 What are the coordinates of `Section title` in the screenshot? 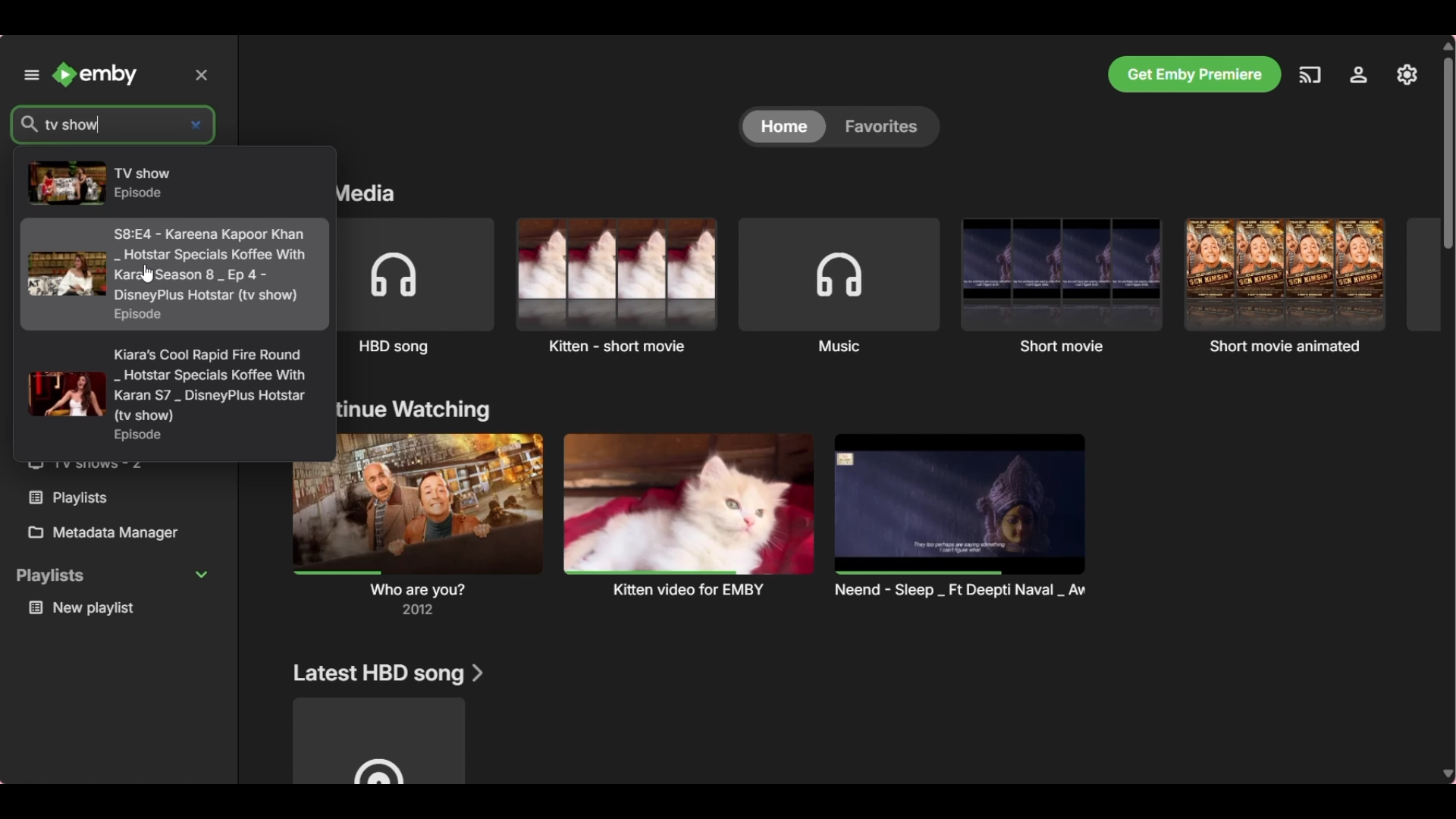 It's located at (371, 195).